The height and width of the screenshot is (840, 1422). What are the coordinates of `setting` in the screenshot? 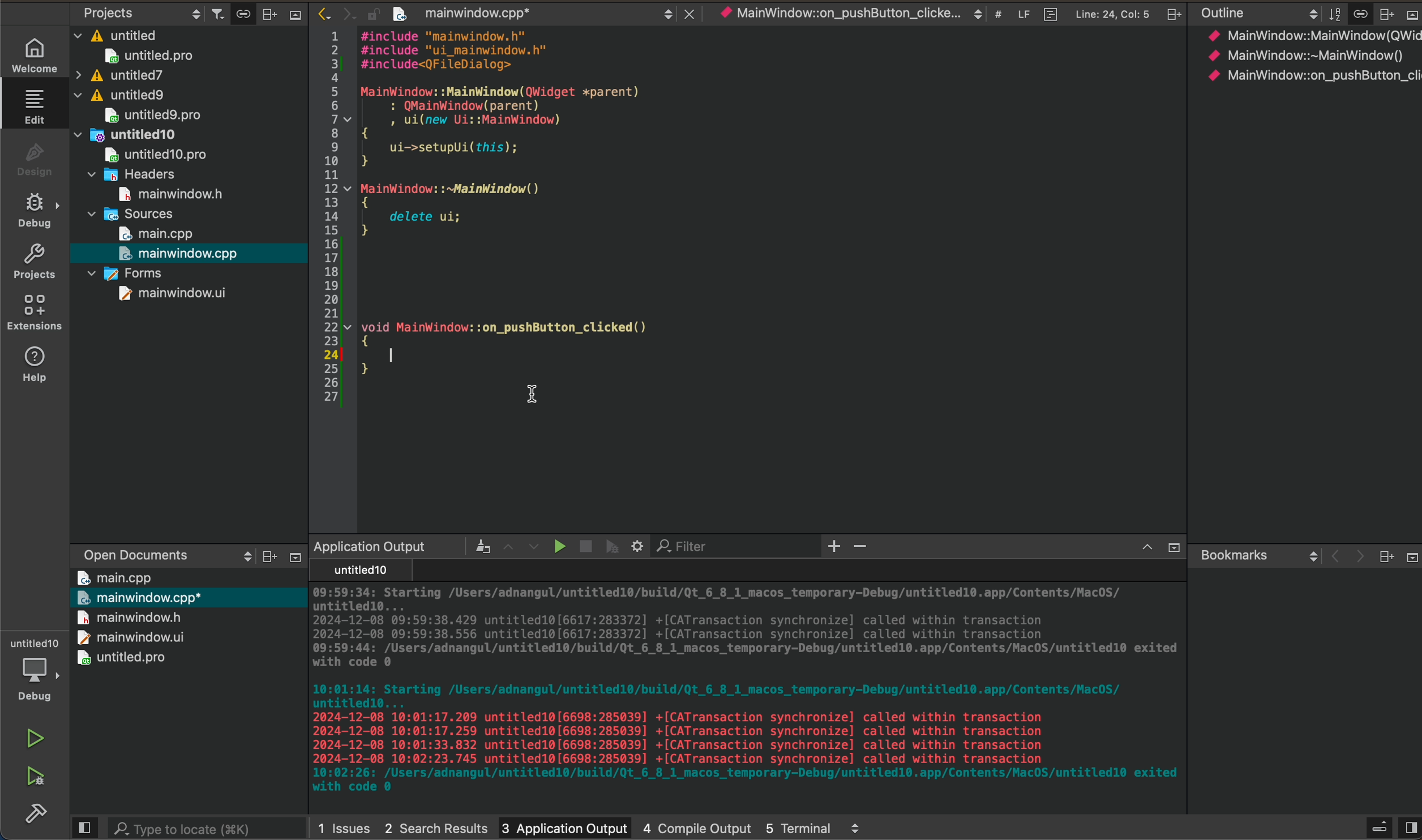 It's located at (639, 546).